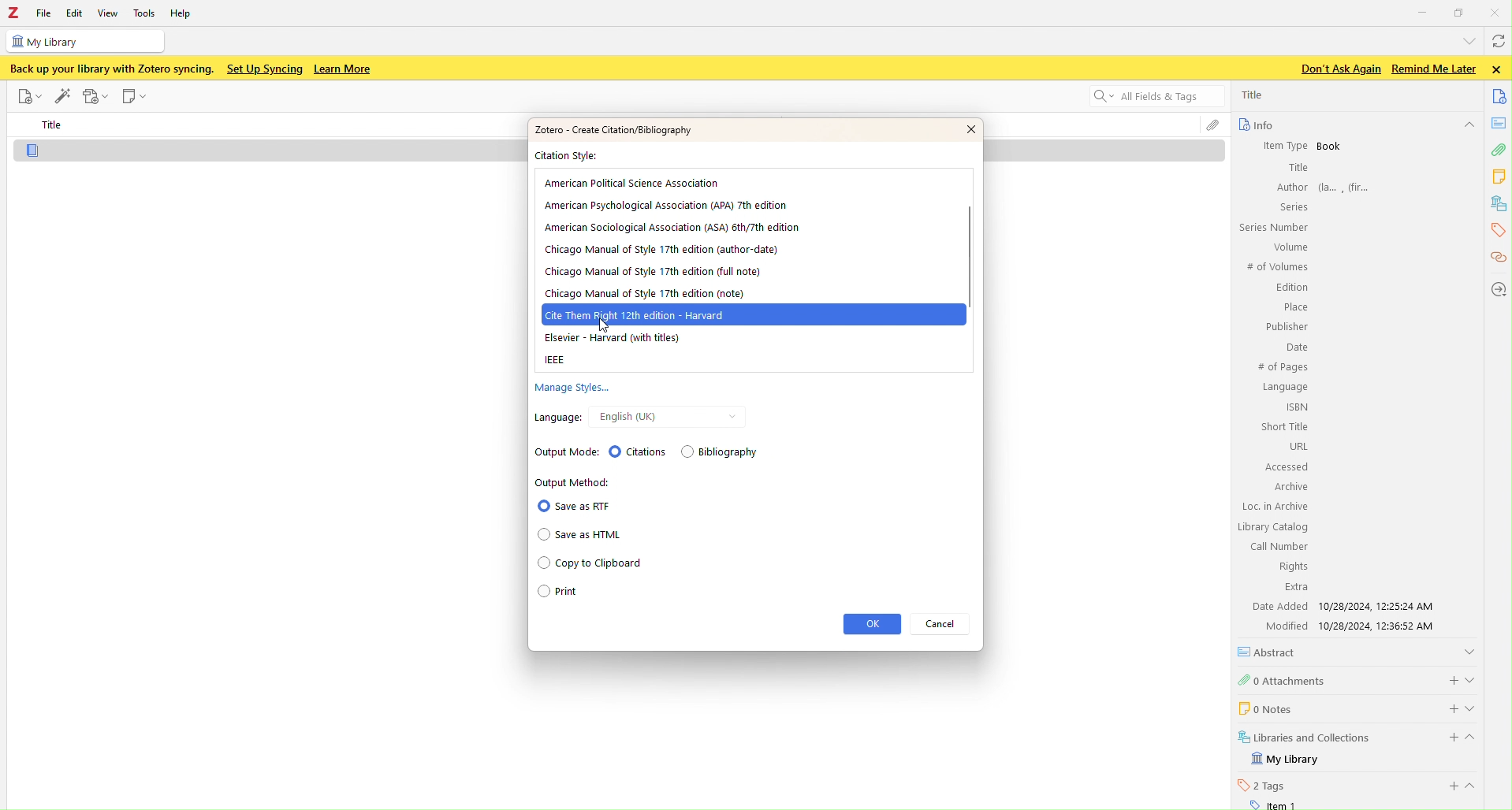 This screenshot has width=1512, height=810. What do you see at coordinates (110, 69) in the screenshot?
I see `‘Back up your library with Zotero syncing.` at bounding box center [110, 69].